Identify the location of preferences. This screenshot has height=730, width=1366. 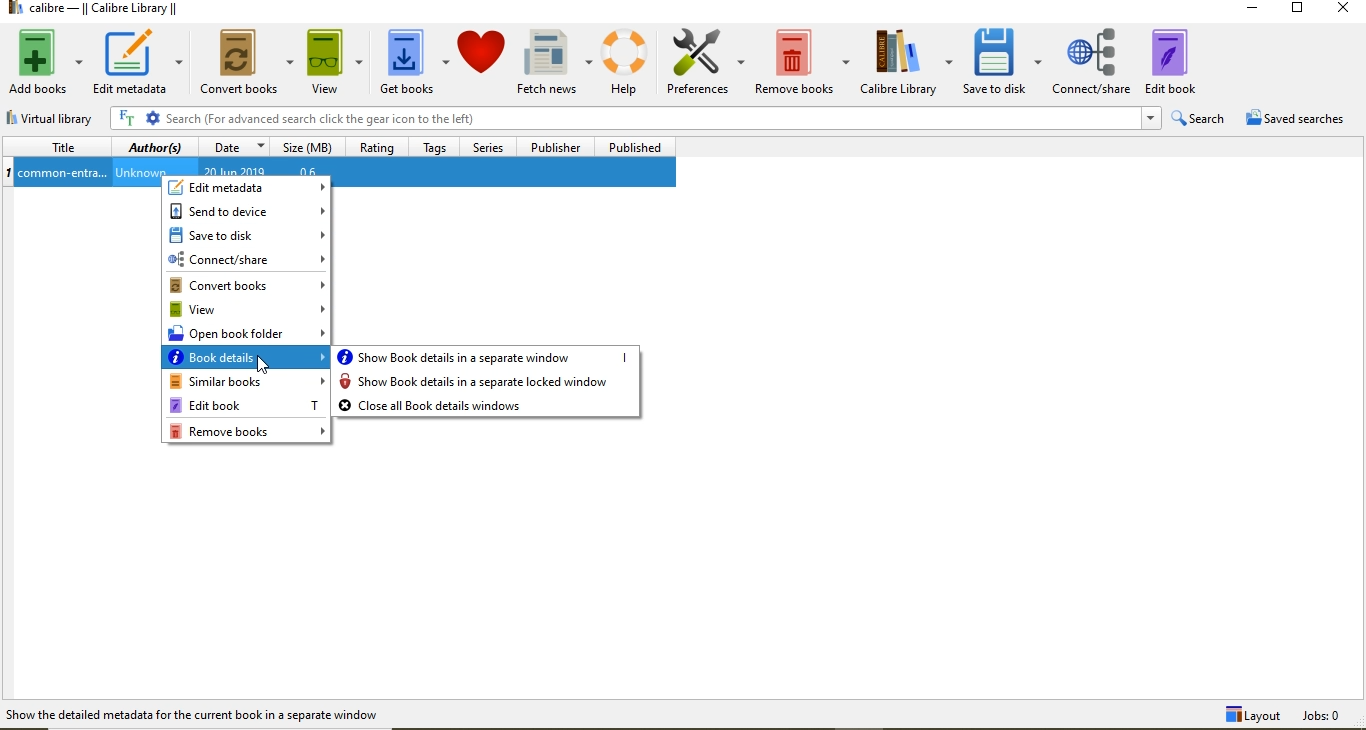
(707, 61).